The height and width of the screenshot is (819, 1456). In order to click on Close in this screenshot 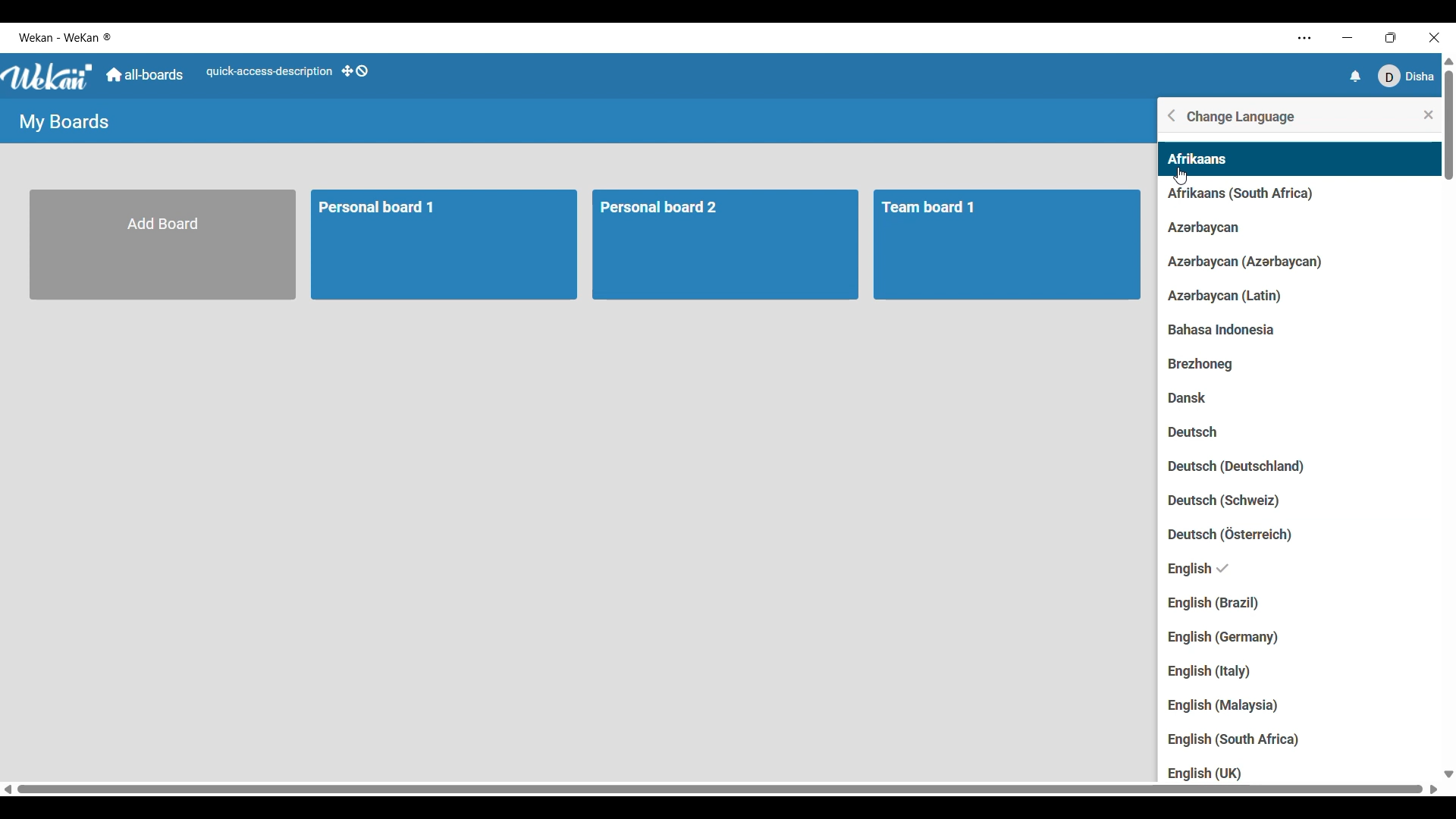, I will do `click(1433, 36)`.